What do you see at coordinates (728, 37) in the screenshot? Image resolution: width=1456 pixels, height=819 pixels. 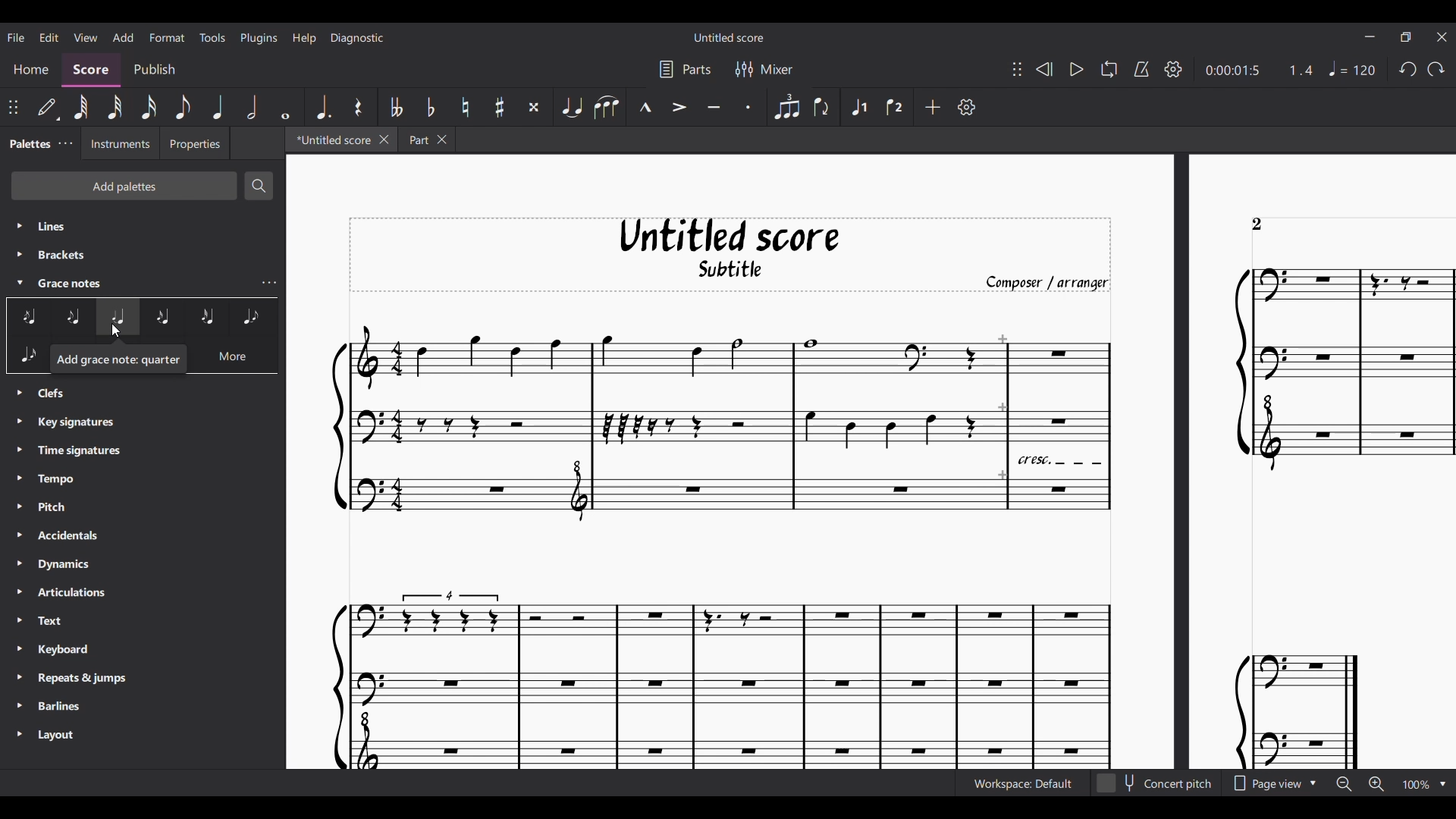 I see `Score title` at bounding box center [728, 37].